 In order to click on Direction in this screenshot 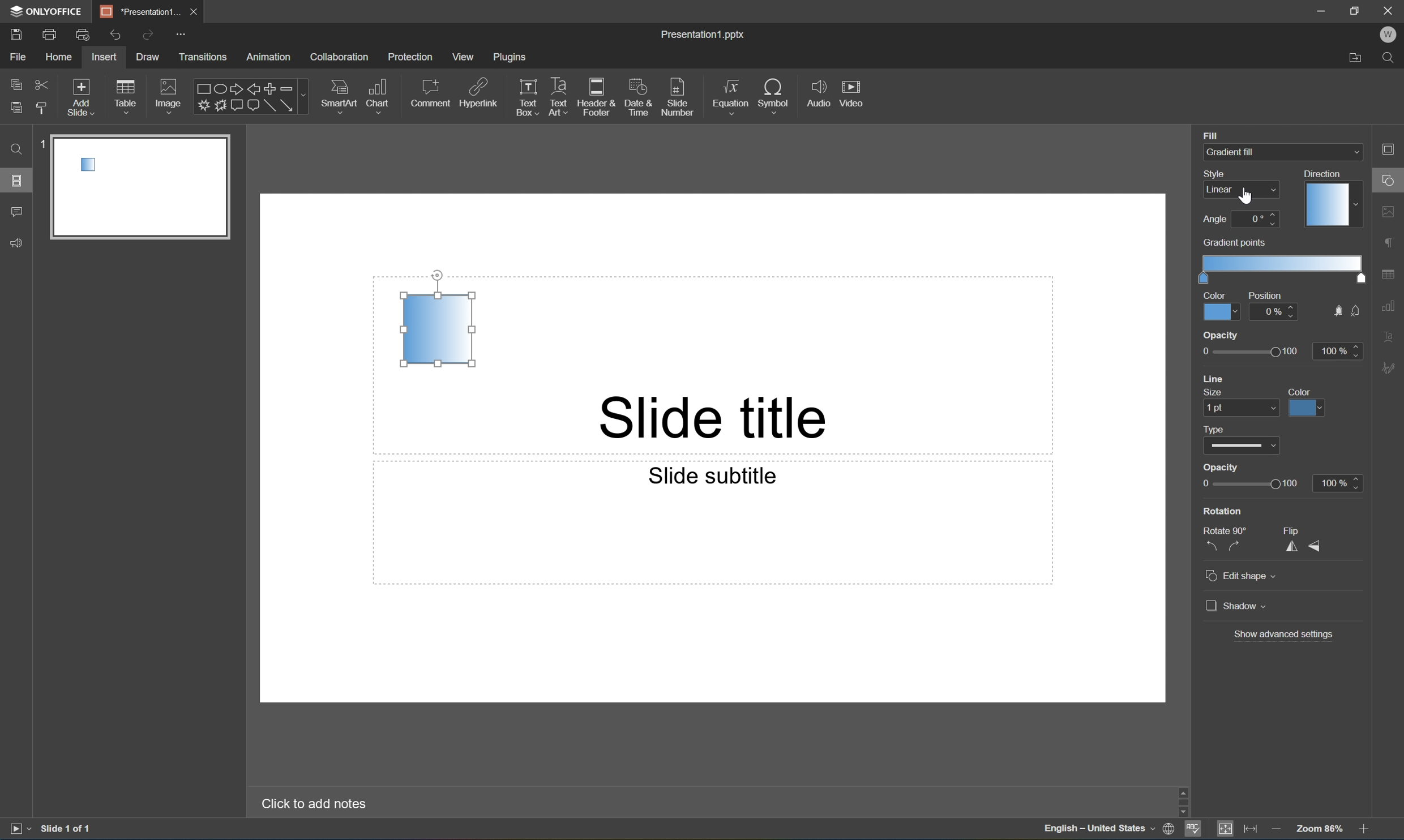, I will do `click(1332, 199)`.